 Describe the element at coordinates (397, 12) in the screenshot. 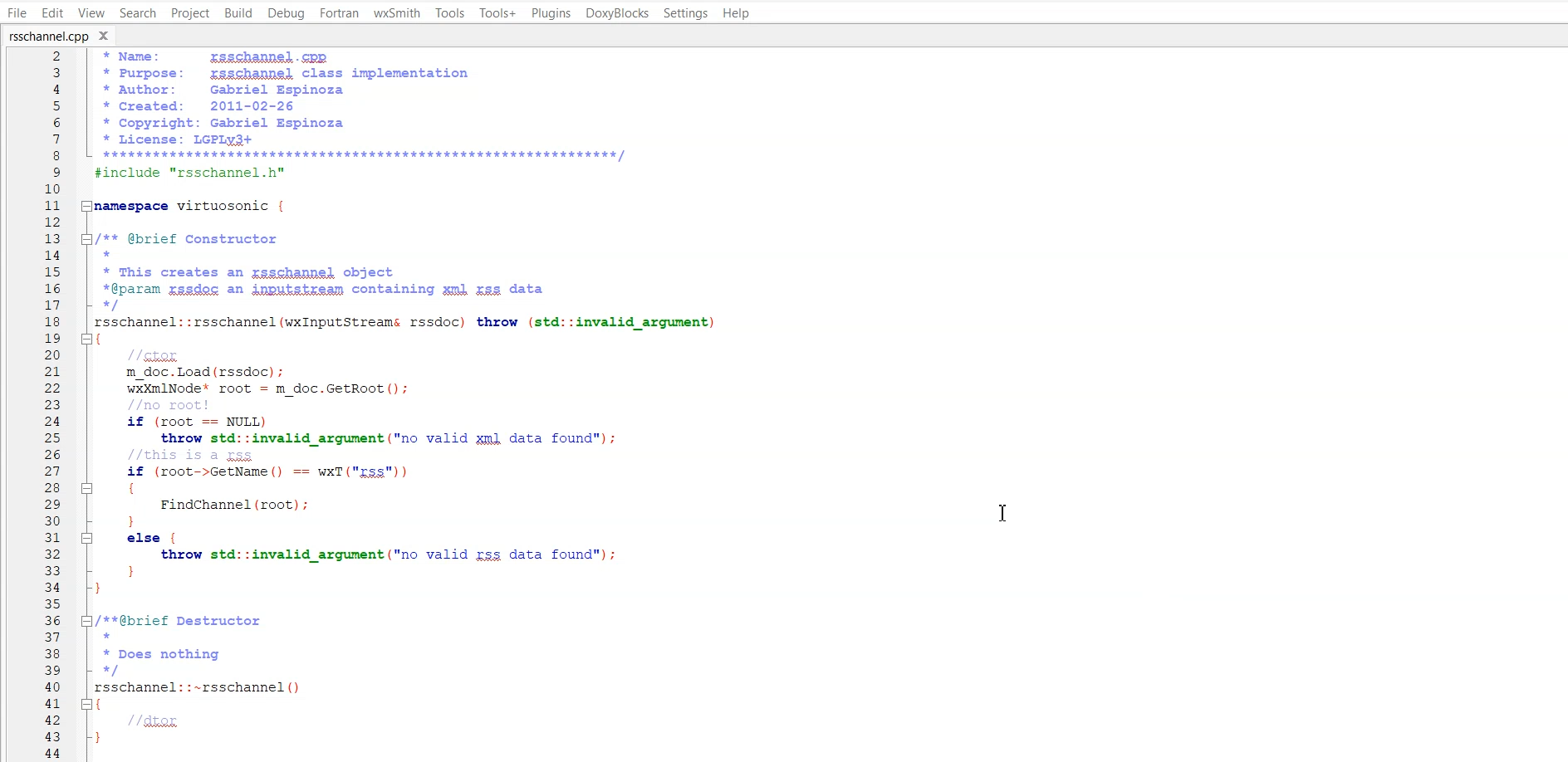

I see `wxSmith` at that location.